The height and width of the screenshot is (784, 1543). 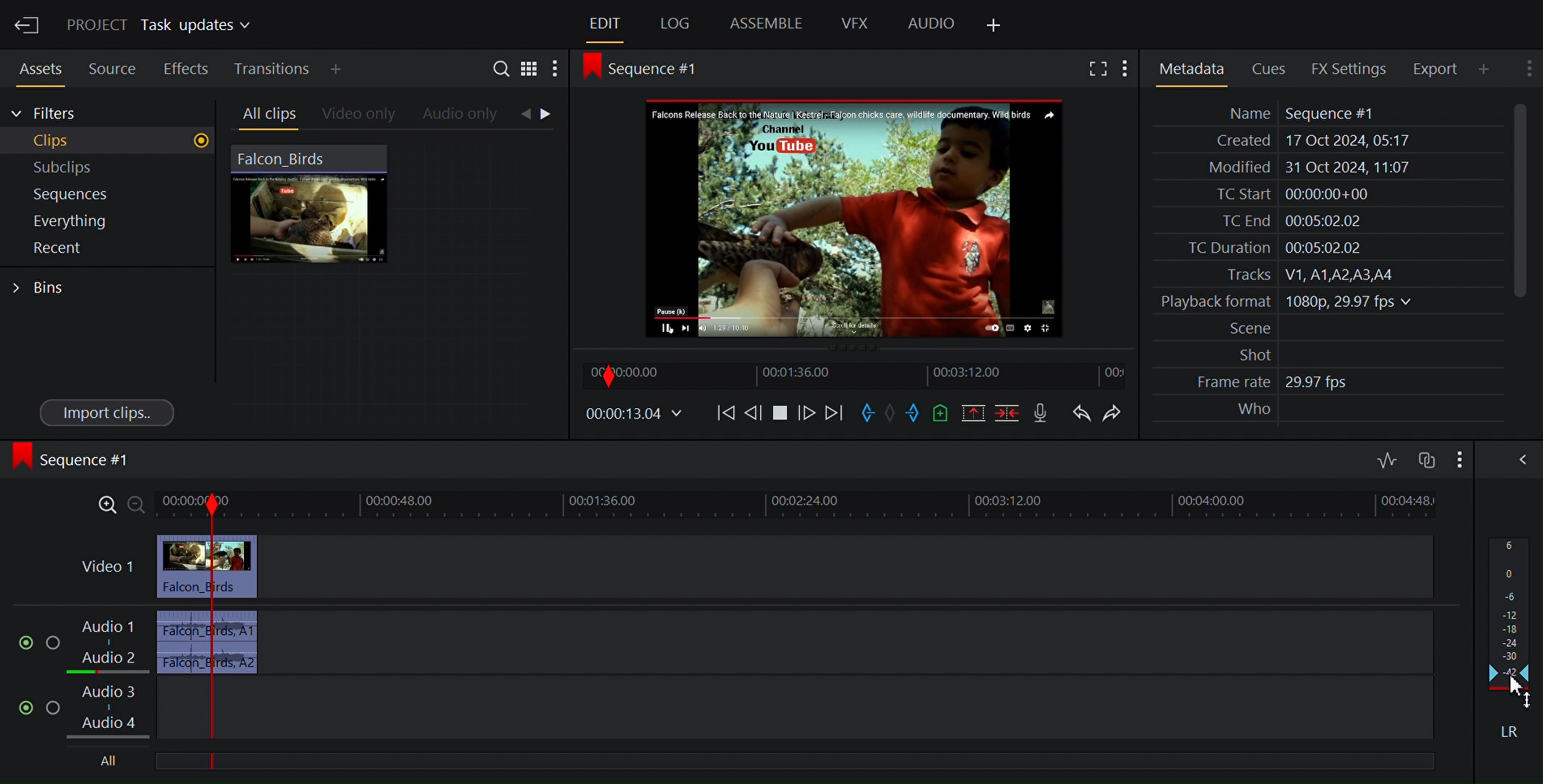 I want to click on TC End  00:05:02.02, so click(x=1283, y=221).